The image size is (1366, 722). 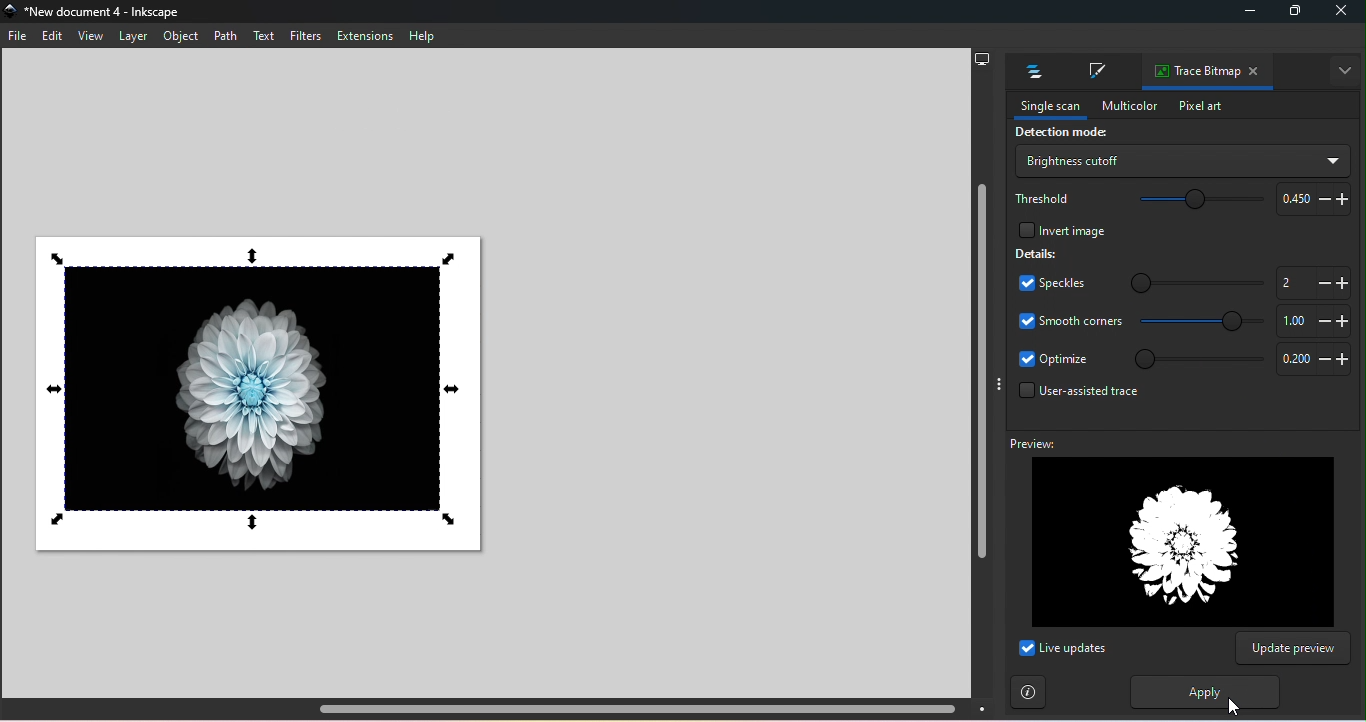 I want to click on Layers and objects, so click(x=1029, y=72).